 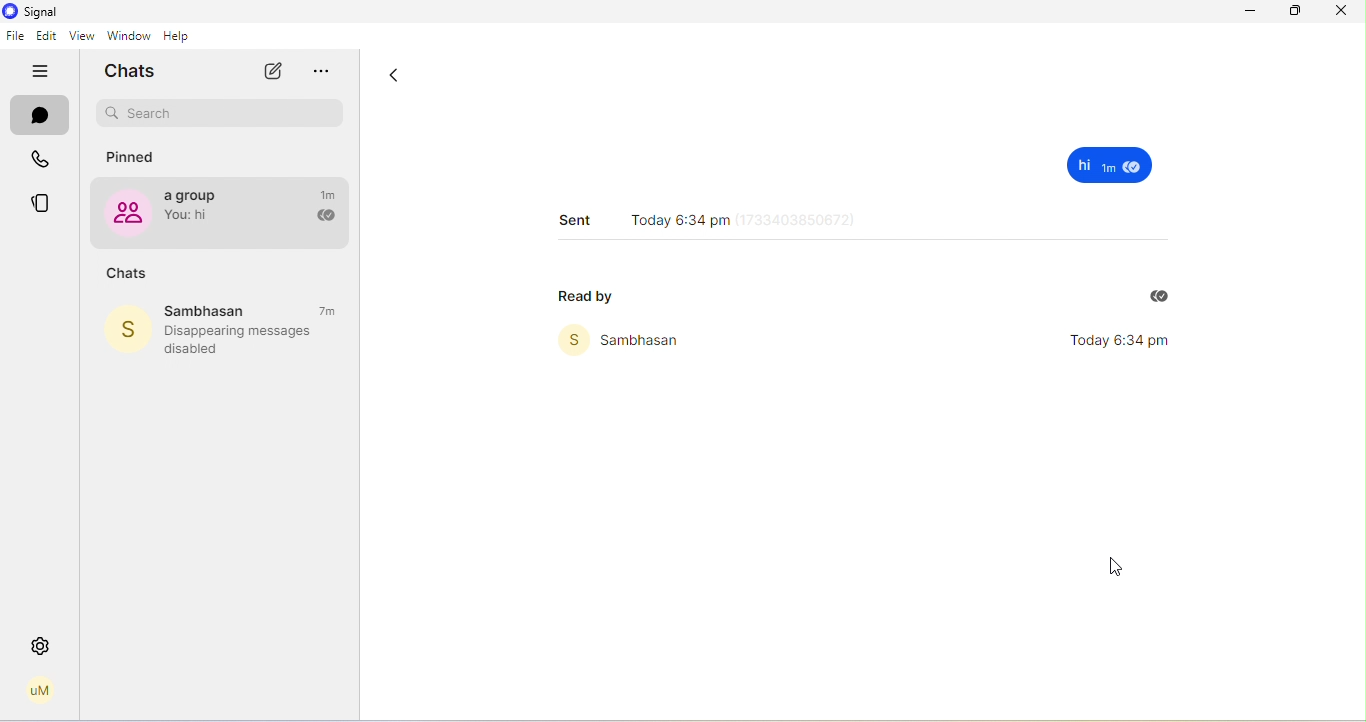 What do you see at coordinates (1159, 297) in the screenshot?
I see `read/unread/delivery status` at bounding box center [1159, 297].